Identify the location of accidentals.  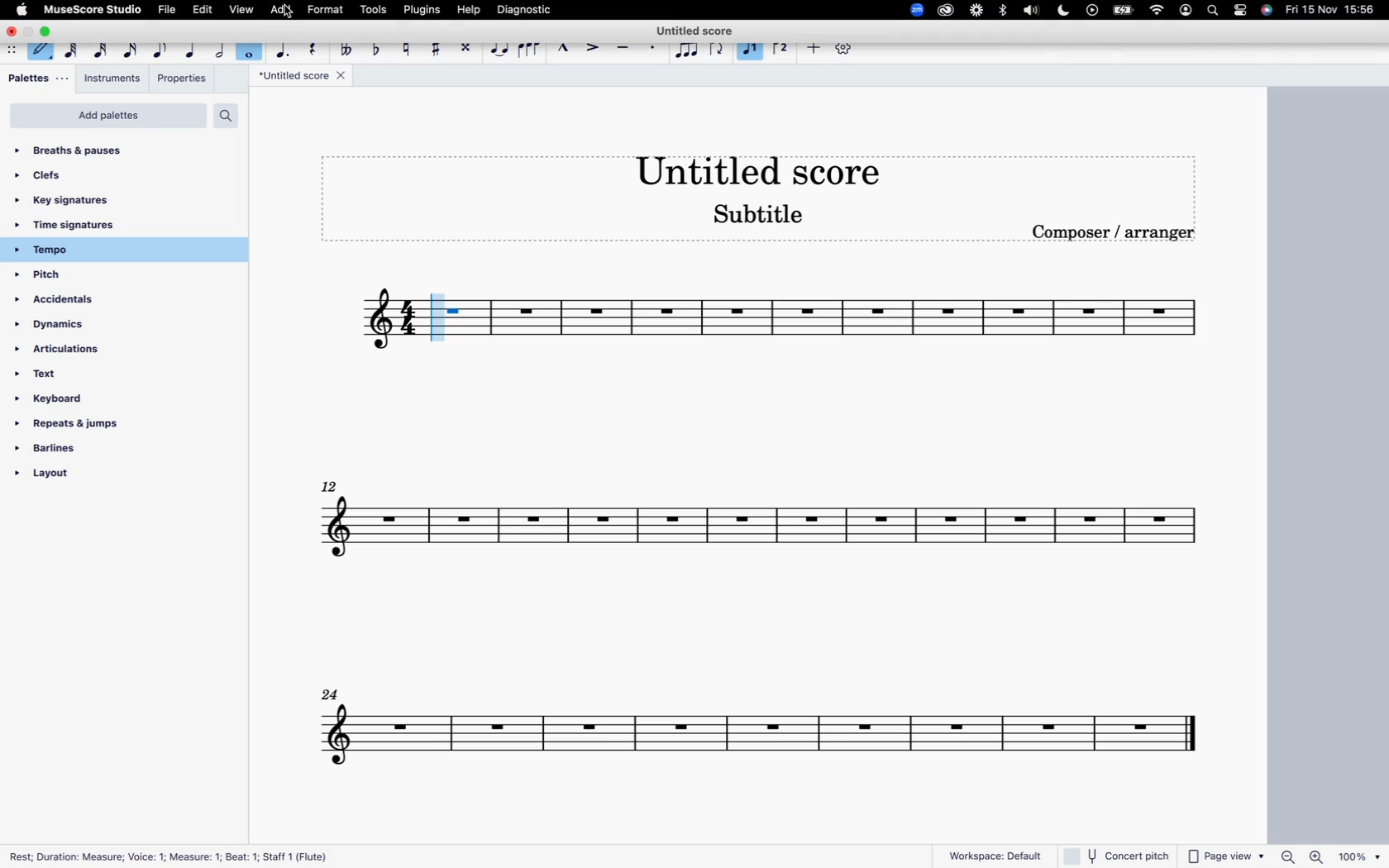
(65, 299).